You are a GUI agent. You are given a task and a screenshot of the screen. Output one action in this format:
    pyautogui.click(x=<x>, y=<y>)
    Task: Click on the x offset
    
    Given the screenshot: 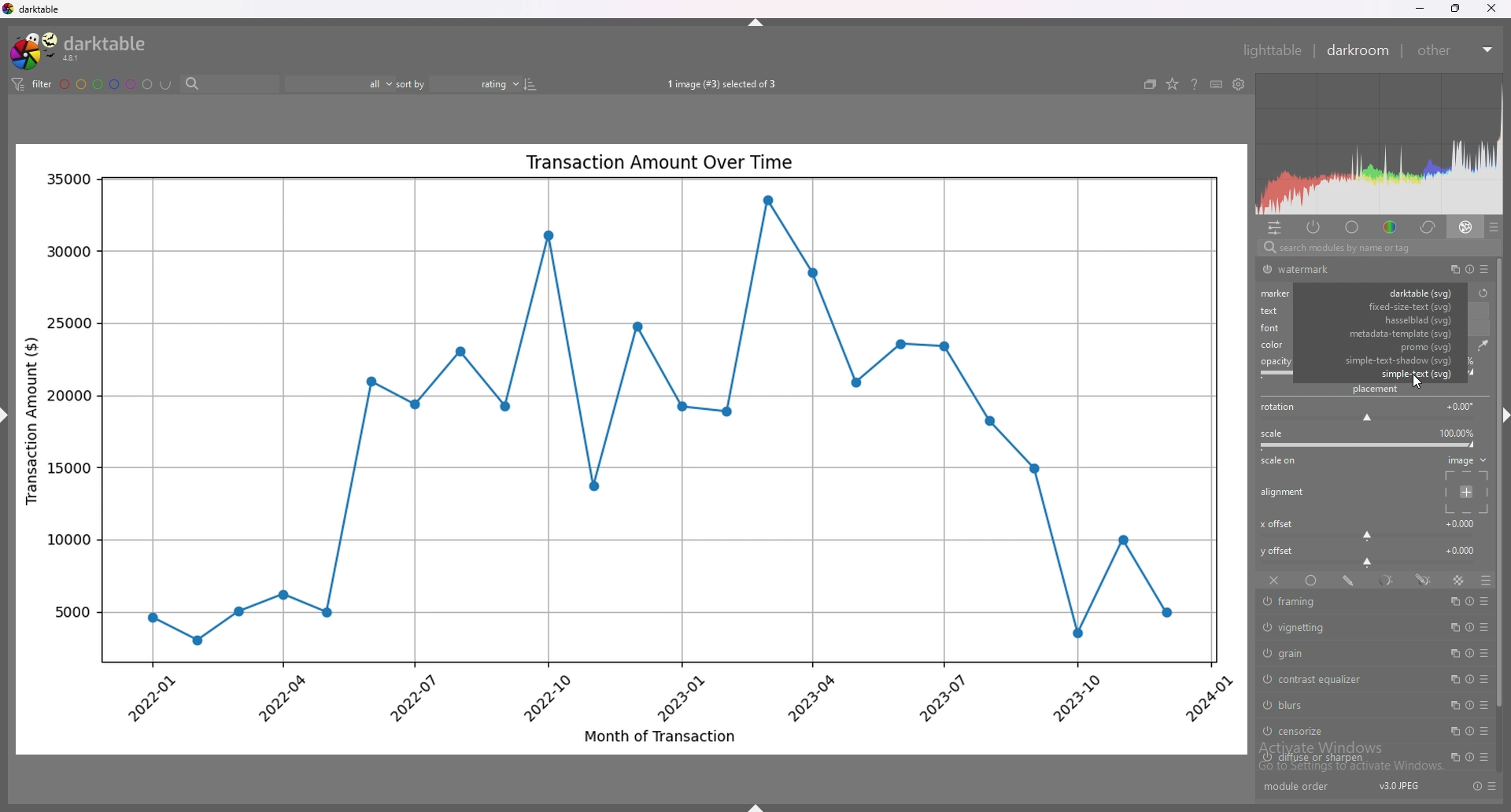 What is the action you would take?
    pyautogui.click(x=1276, y=524)
    